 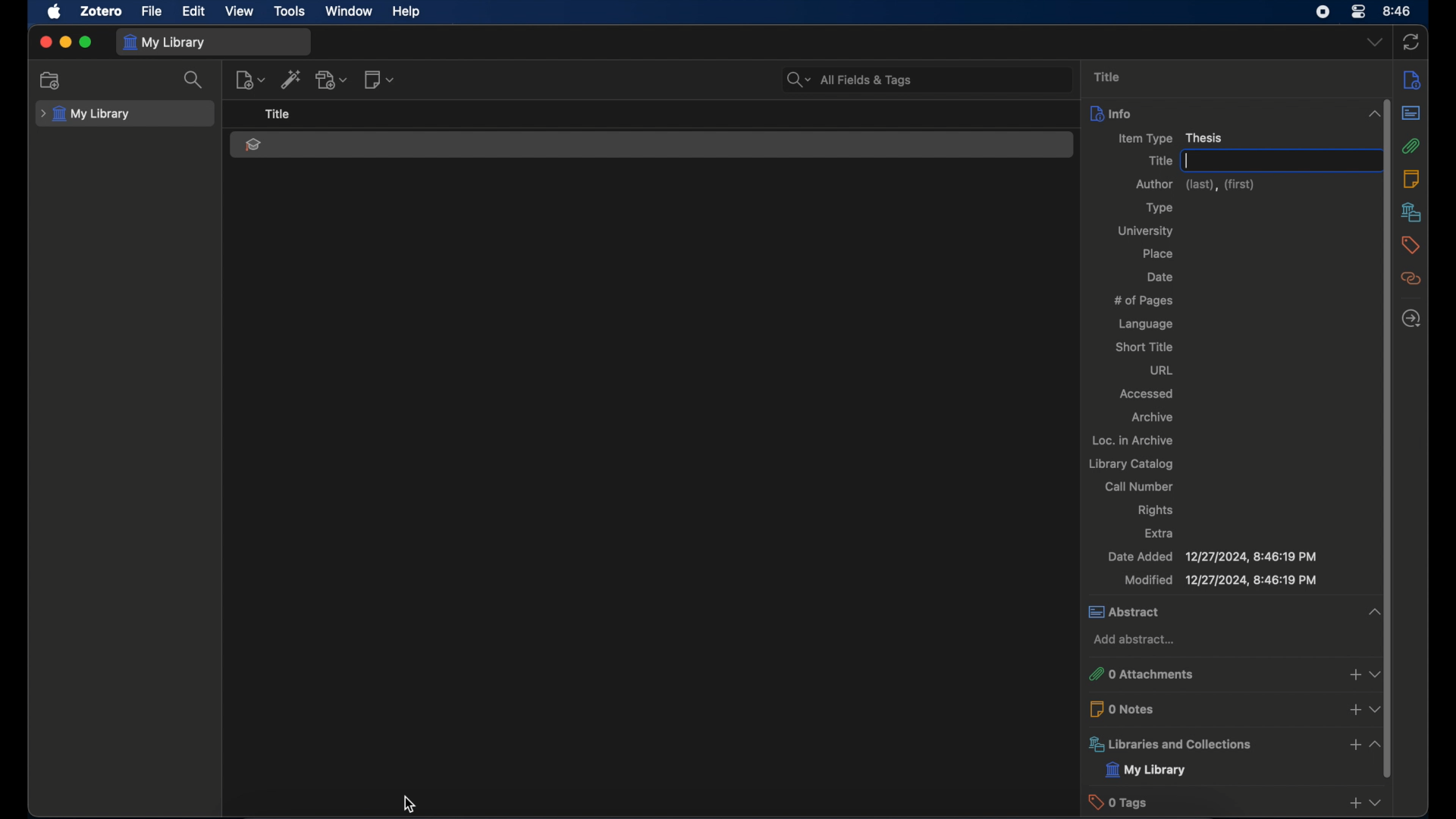 What do you see at coordinates (1214, 612) in the screenshot?
I see `abstract` at bounding box center [1214, 612].